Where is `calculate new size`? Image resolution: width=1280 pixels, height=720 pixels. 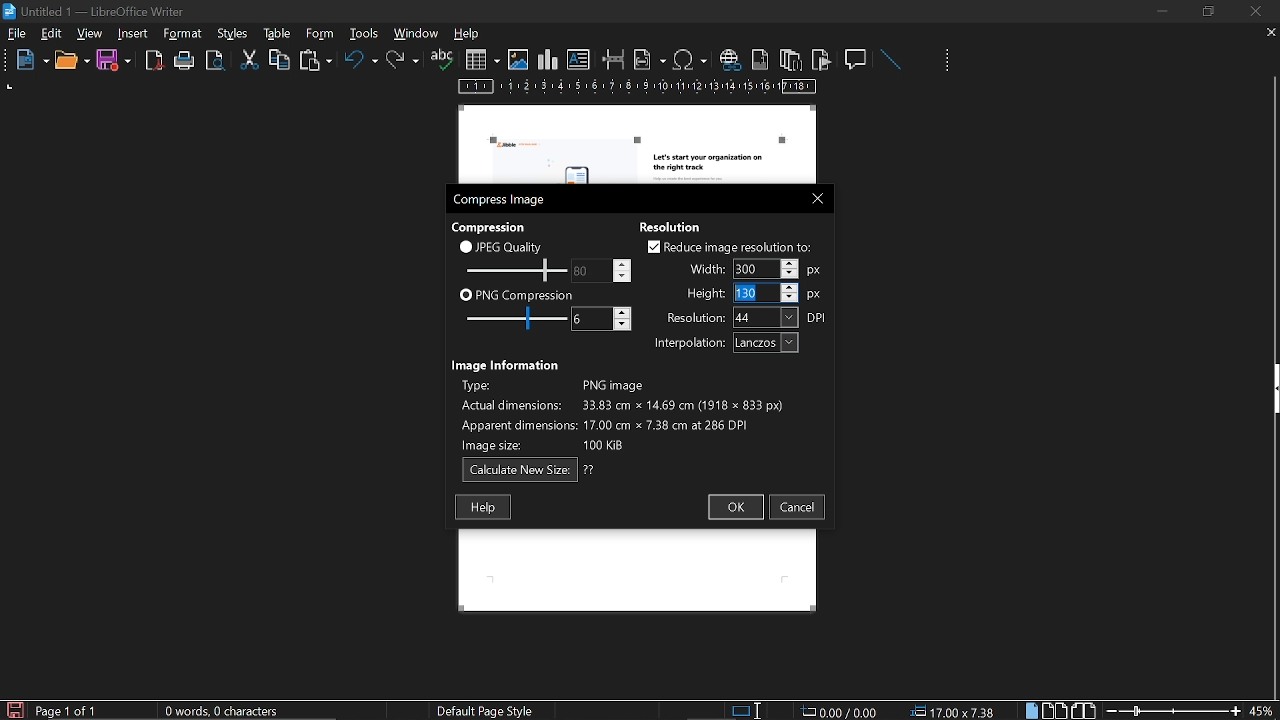
calculate new size is located at coordinates (529, 470).